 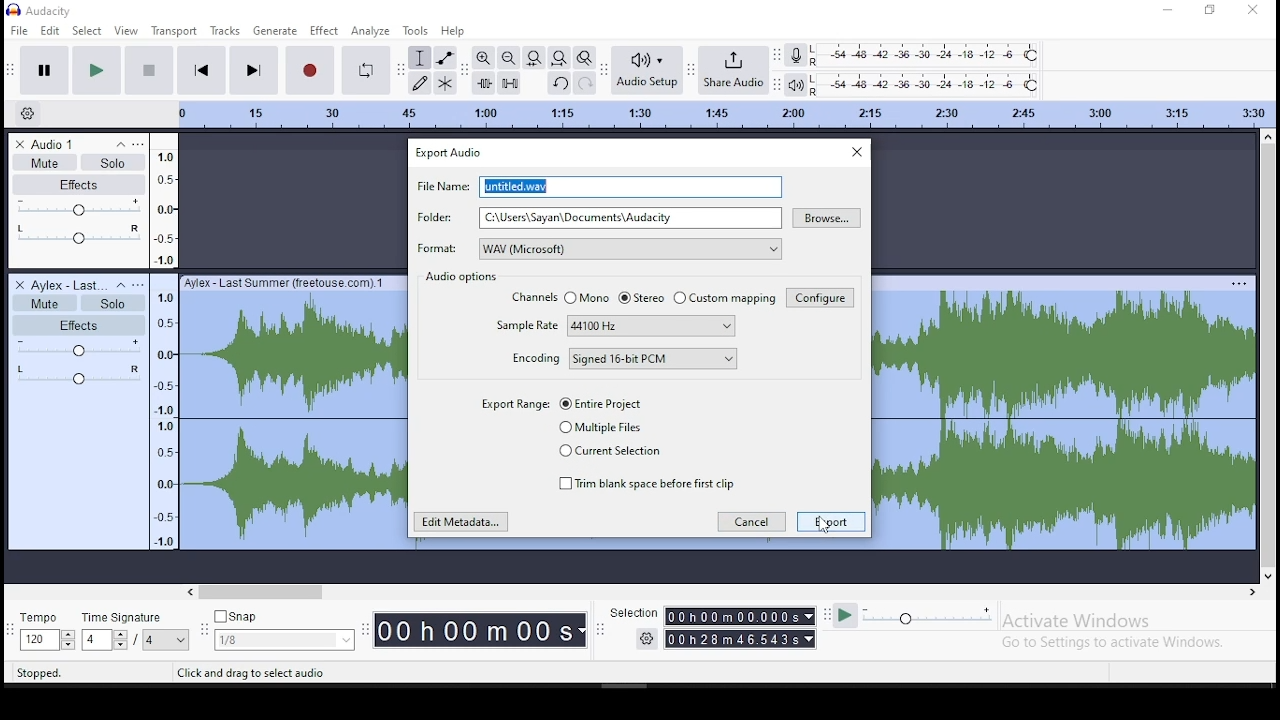 I want to click on volume, so click(x=78, y=348).